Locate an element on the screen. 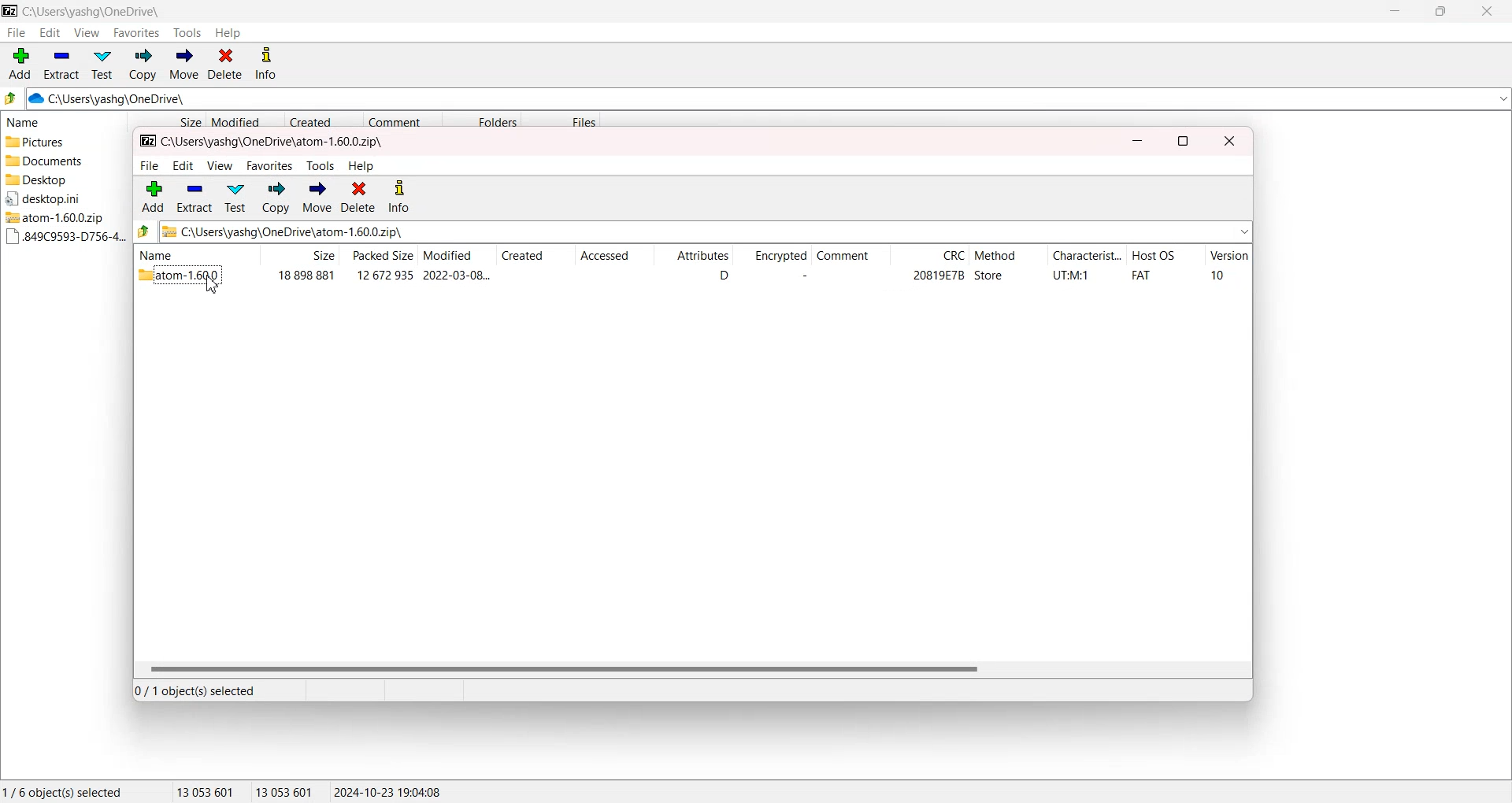  back is located at coordinates (144, 231).